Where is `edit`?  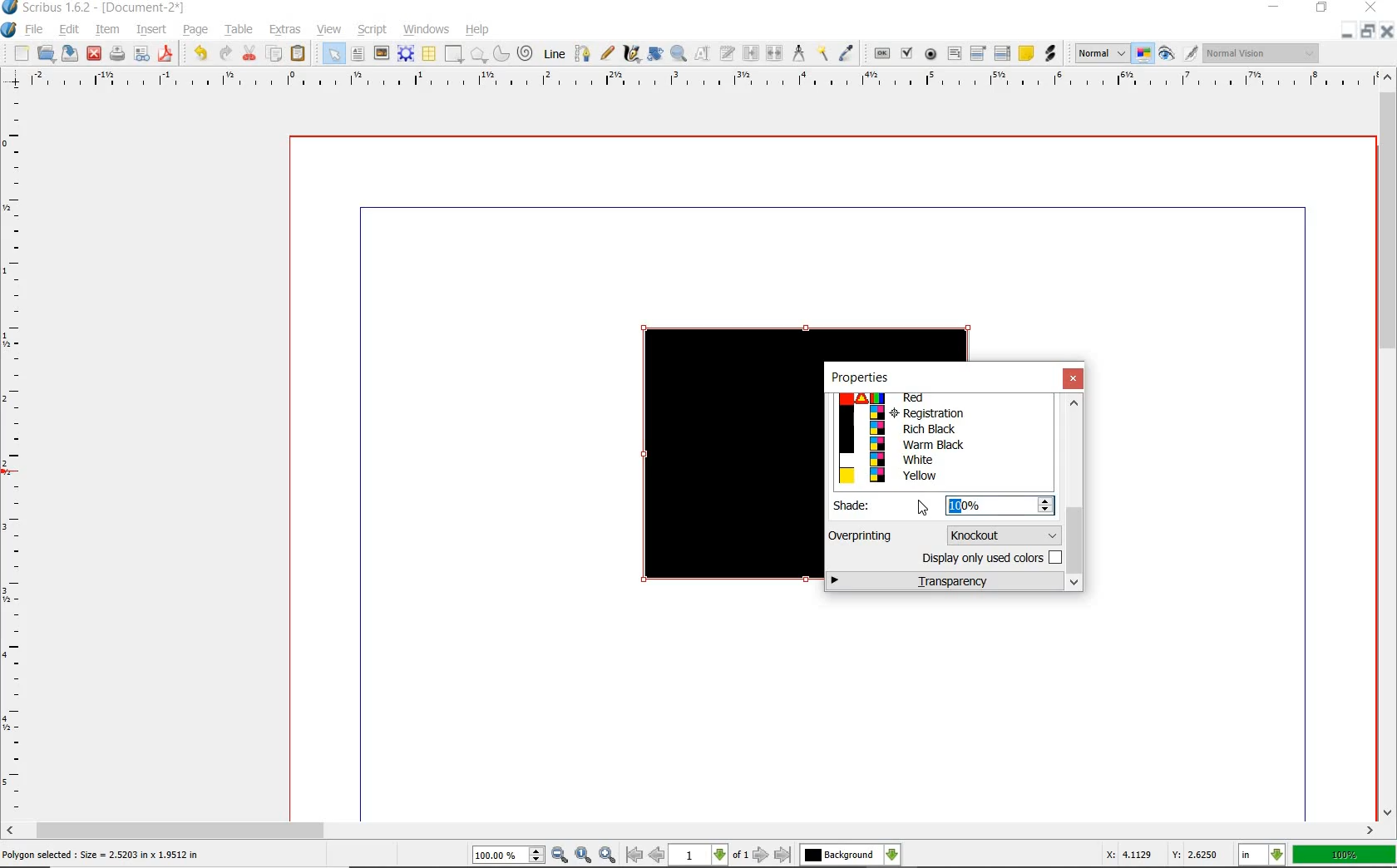 edit is located at coordinates (69, 30).